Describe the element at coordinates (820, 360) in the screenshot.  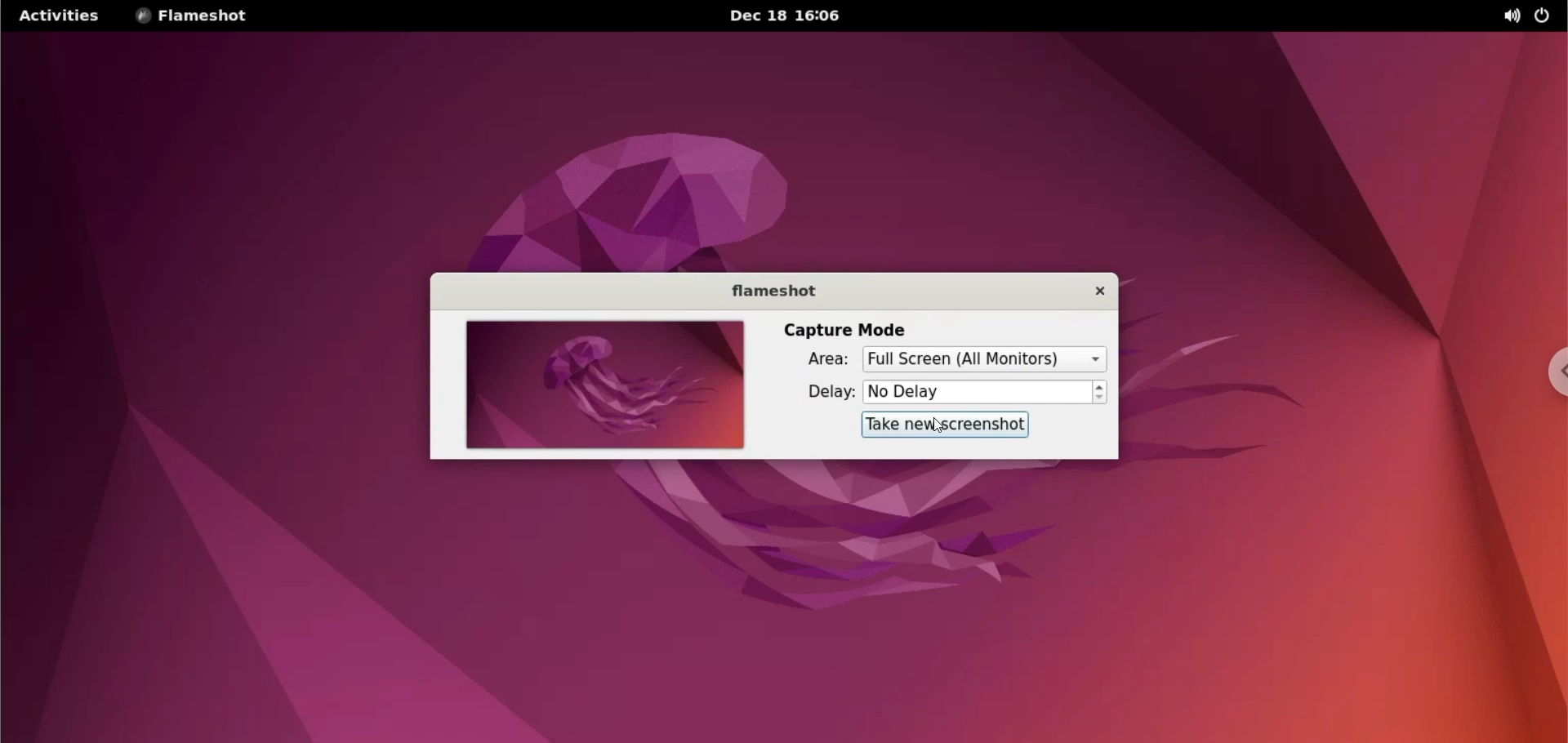
I see `area label` at that location.